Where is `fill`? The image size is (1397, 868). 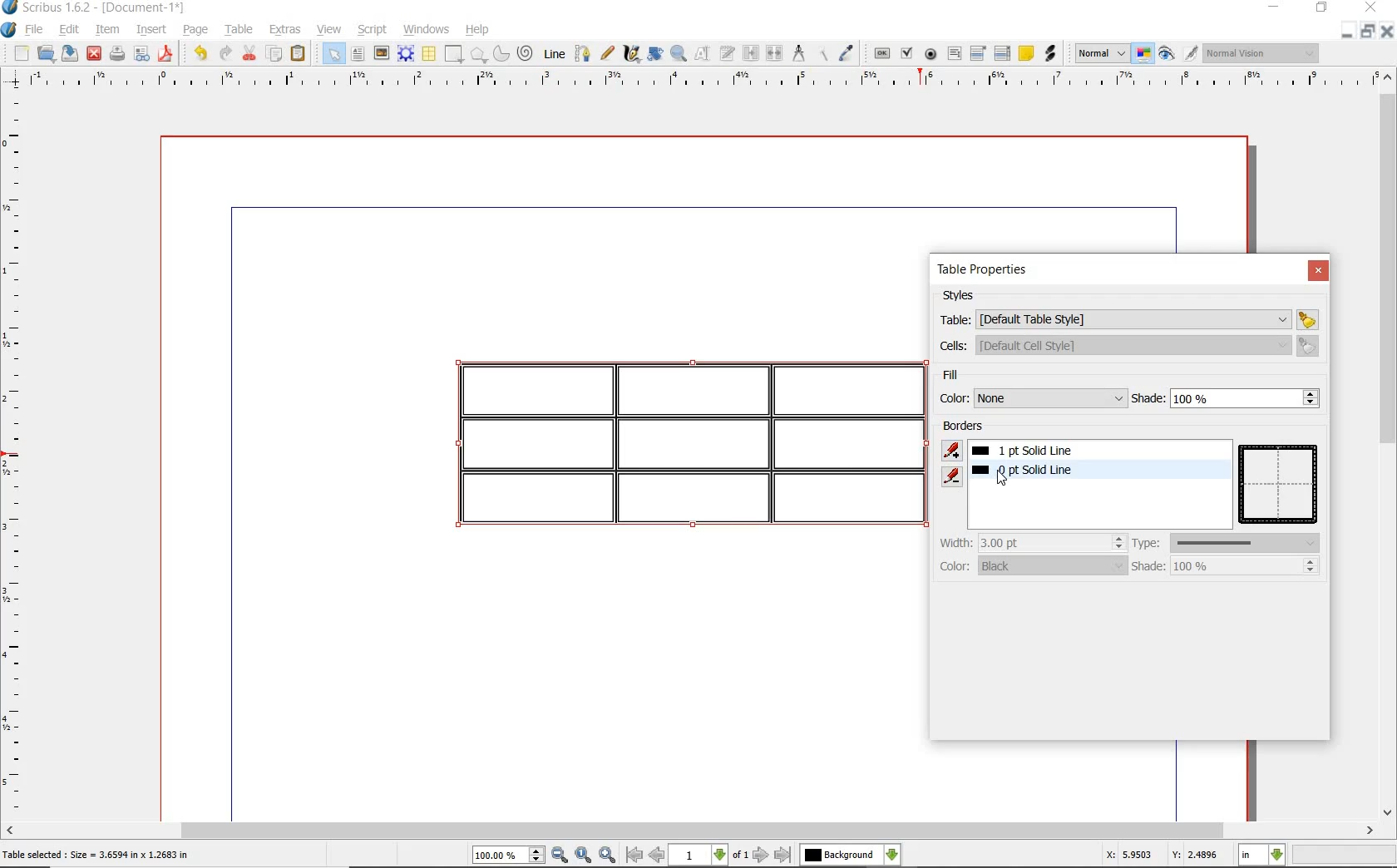 fill is located at coordinates (974, 377).